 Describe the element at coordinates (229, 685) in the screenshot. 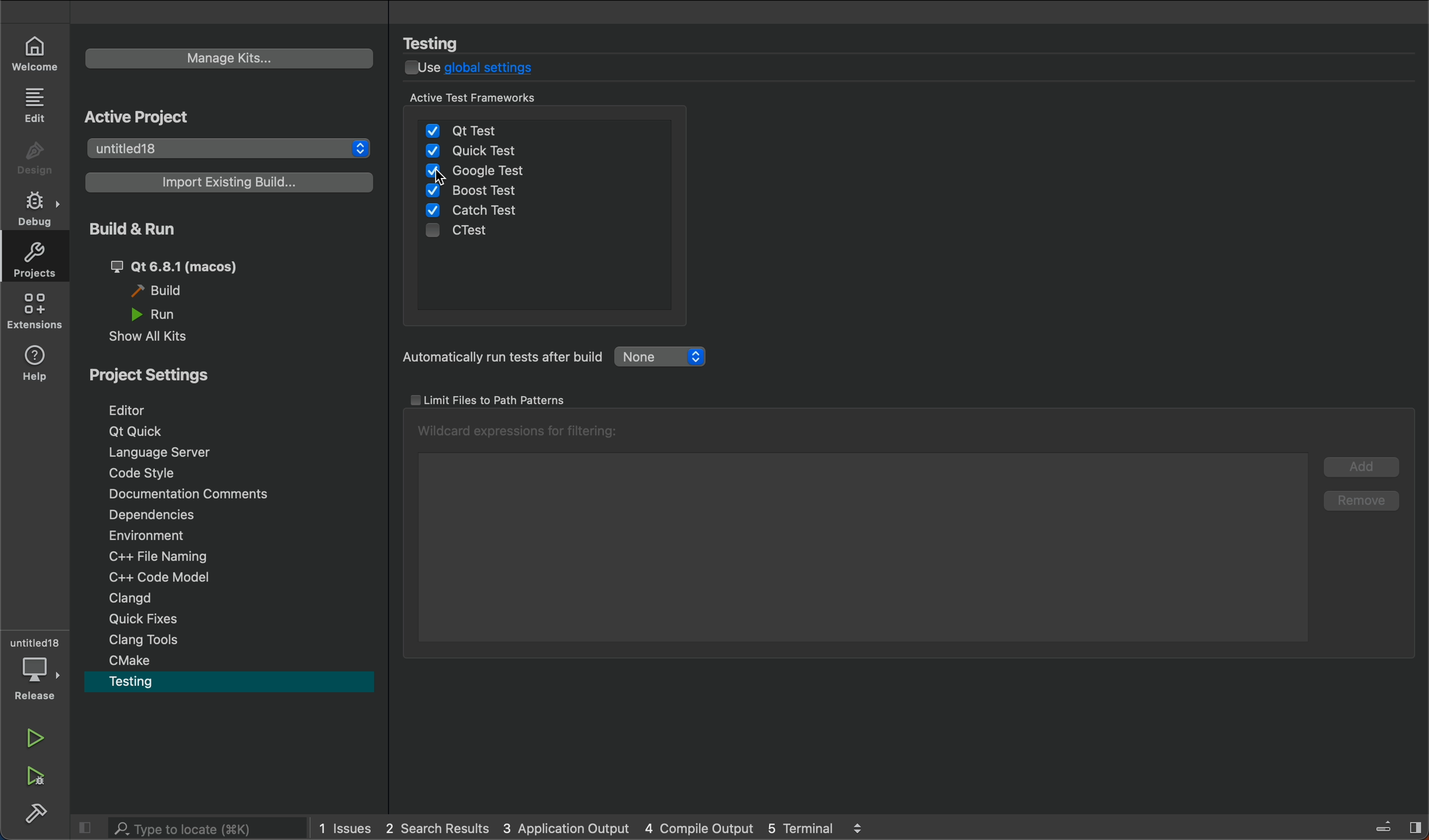

I see `testing` at that location.